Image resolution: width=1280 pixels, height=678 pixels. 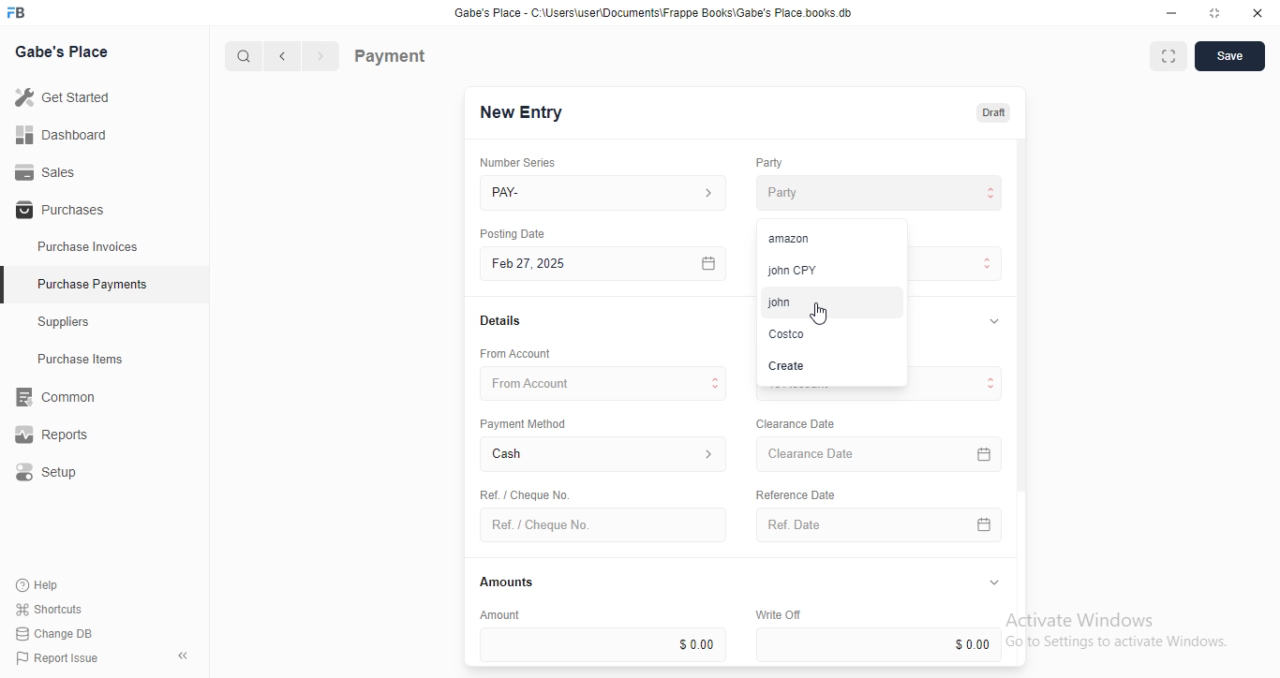 What do you see at coordinates (88, 247) in the screenshot?
I see `Purchase Invoices` at bounding box center [88, 247].